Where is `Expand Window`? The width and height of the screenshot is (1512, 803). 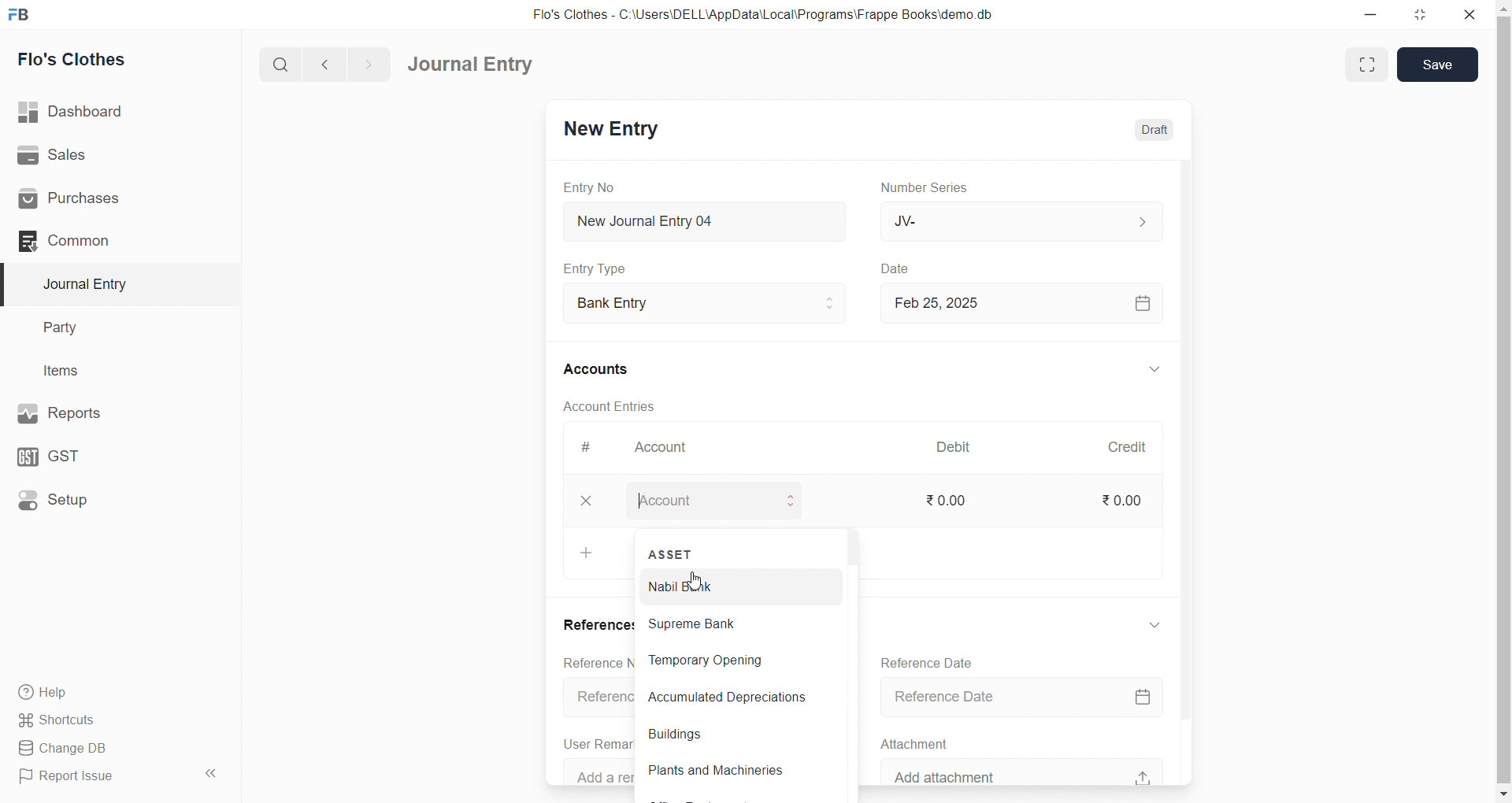
Expand Window is located at coordinates (1365, 65).